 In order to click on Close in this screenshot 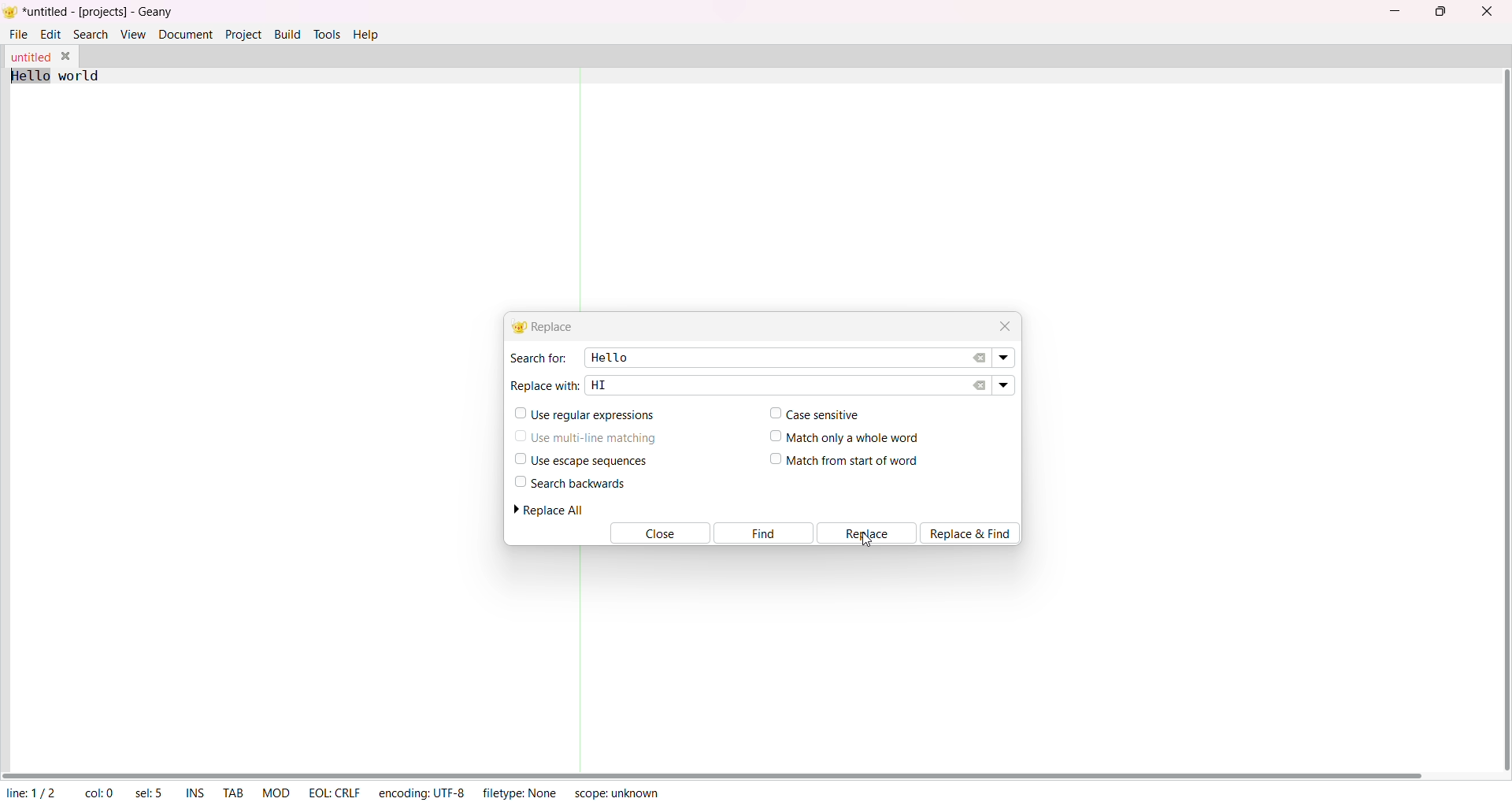, I will do `click(658, 534)`.